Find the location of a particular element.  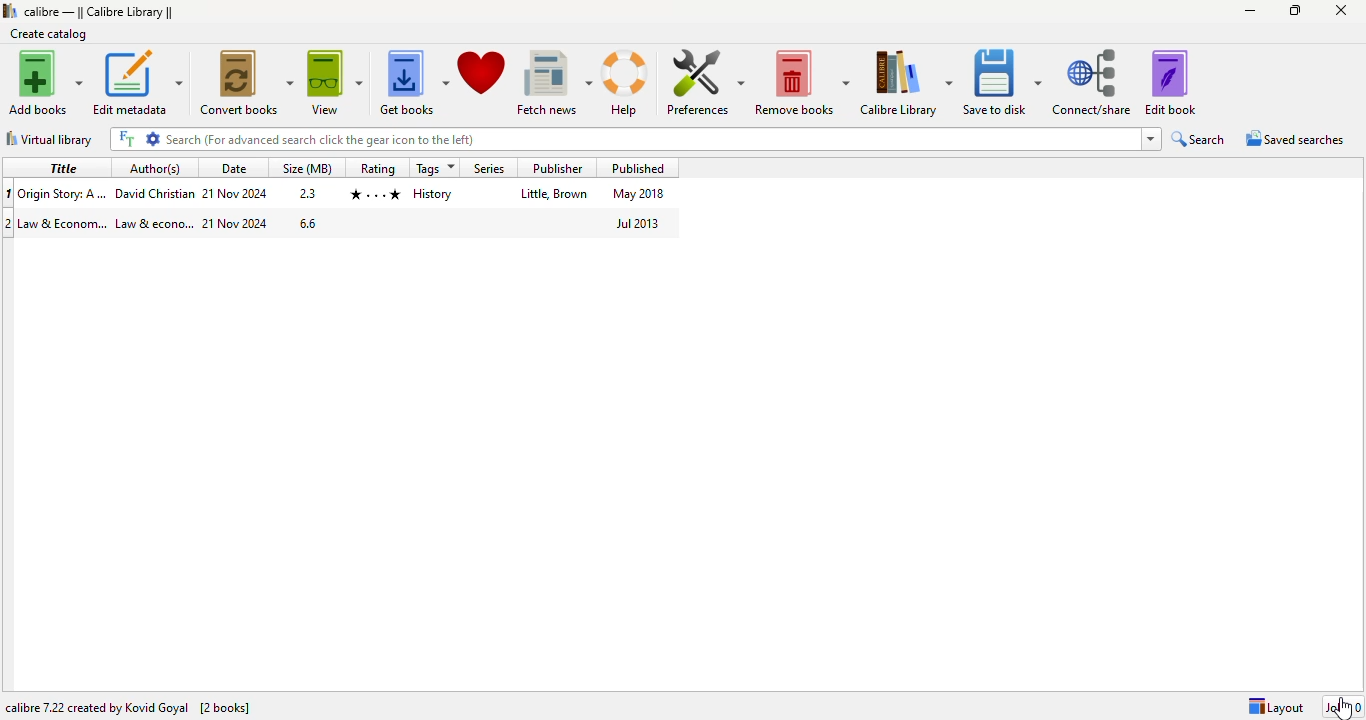

History is located at coordinates (432, 195).